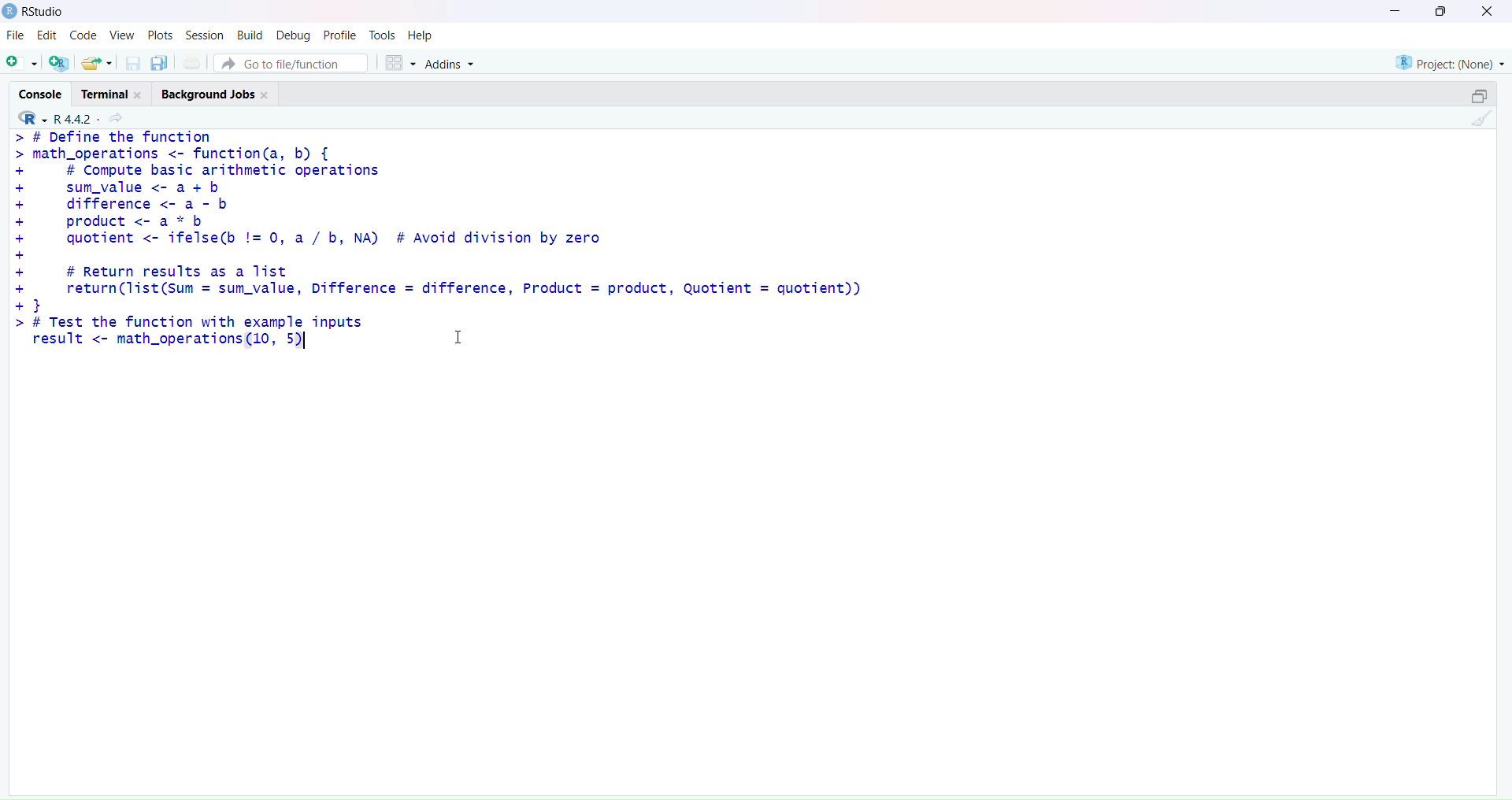 This screenshot has height=800, width=1512. I want to click on Maximize, so click(1479, 93).